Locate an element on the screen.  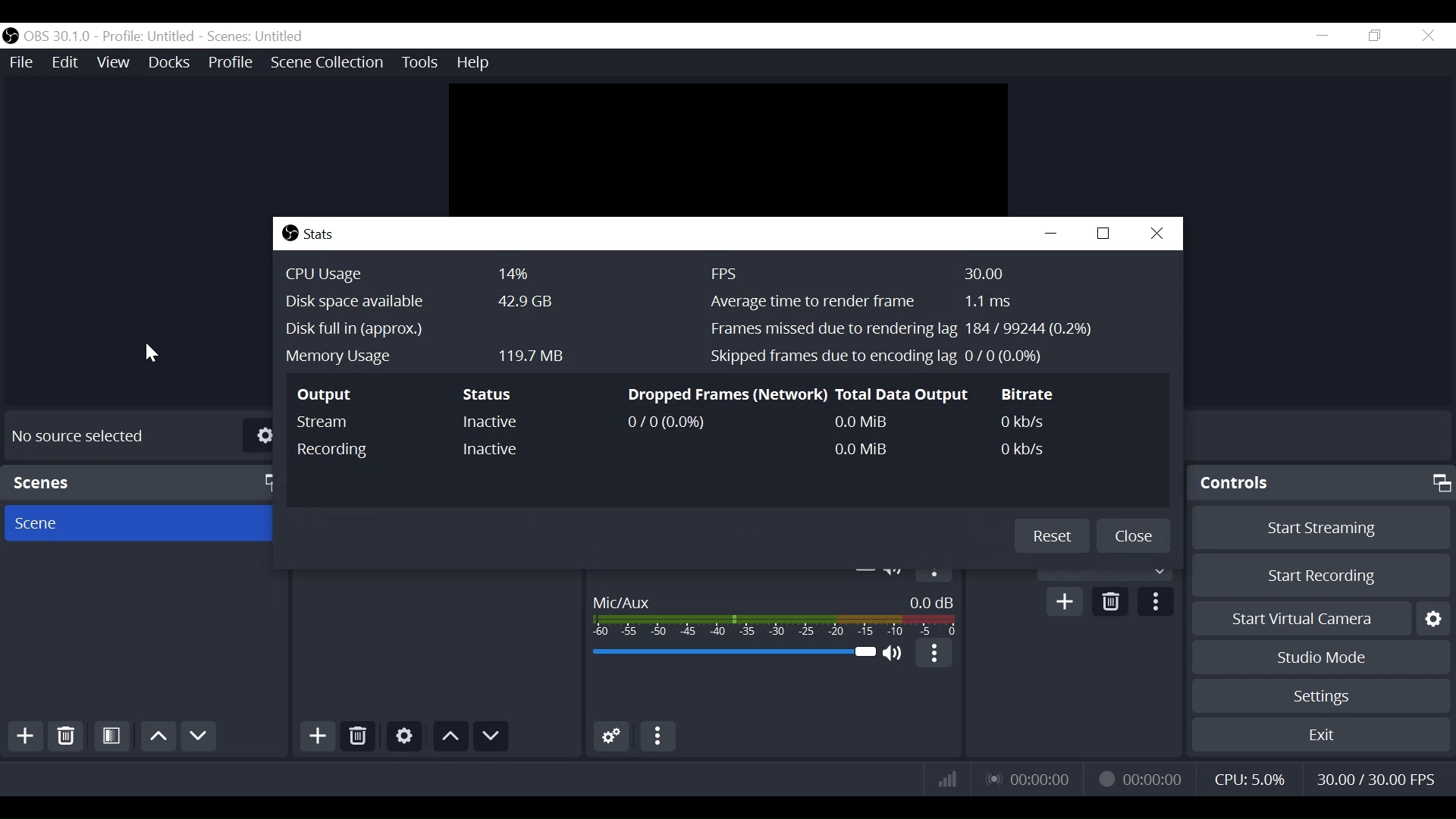
Output is located at coordinates (335, 395).